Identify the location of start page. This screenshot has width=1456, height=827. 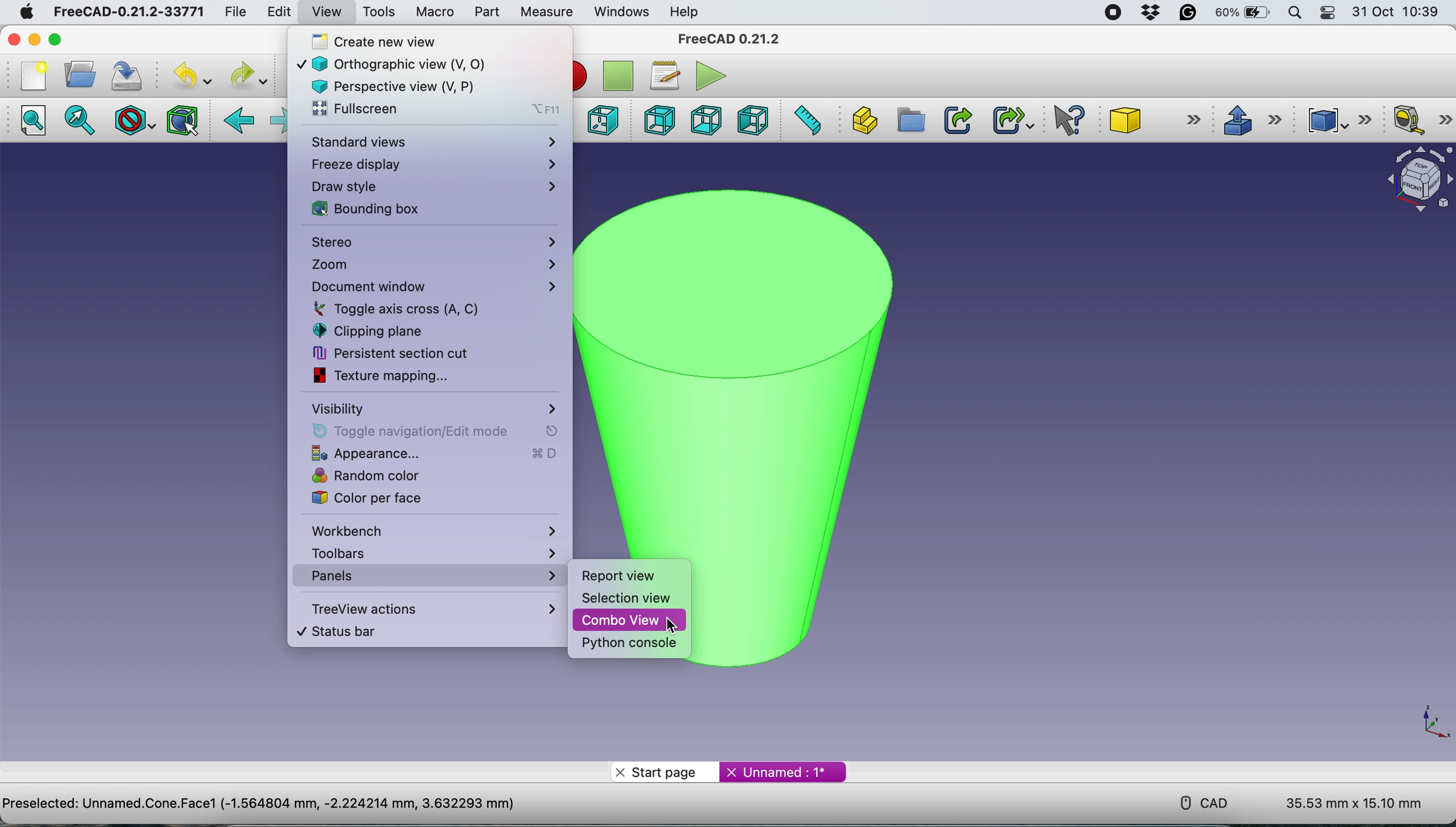
(664, 771).